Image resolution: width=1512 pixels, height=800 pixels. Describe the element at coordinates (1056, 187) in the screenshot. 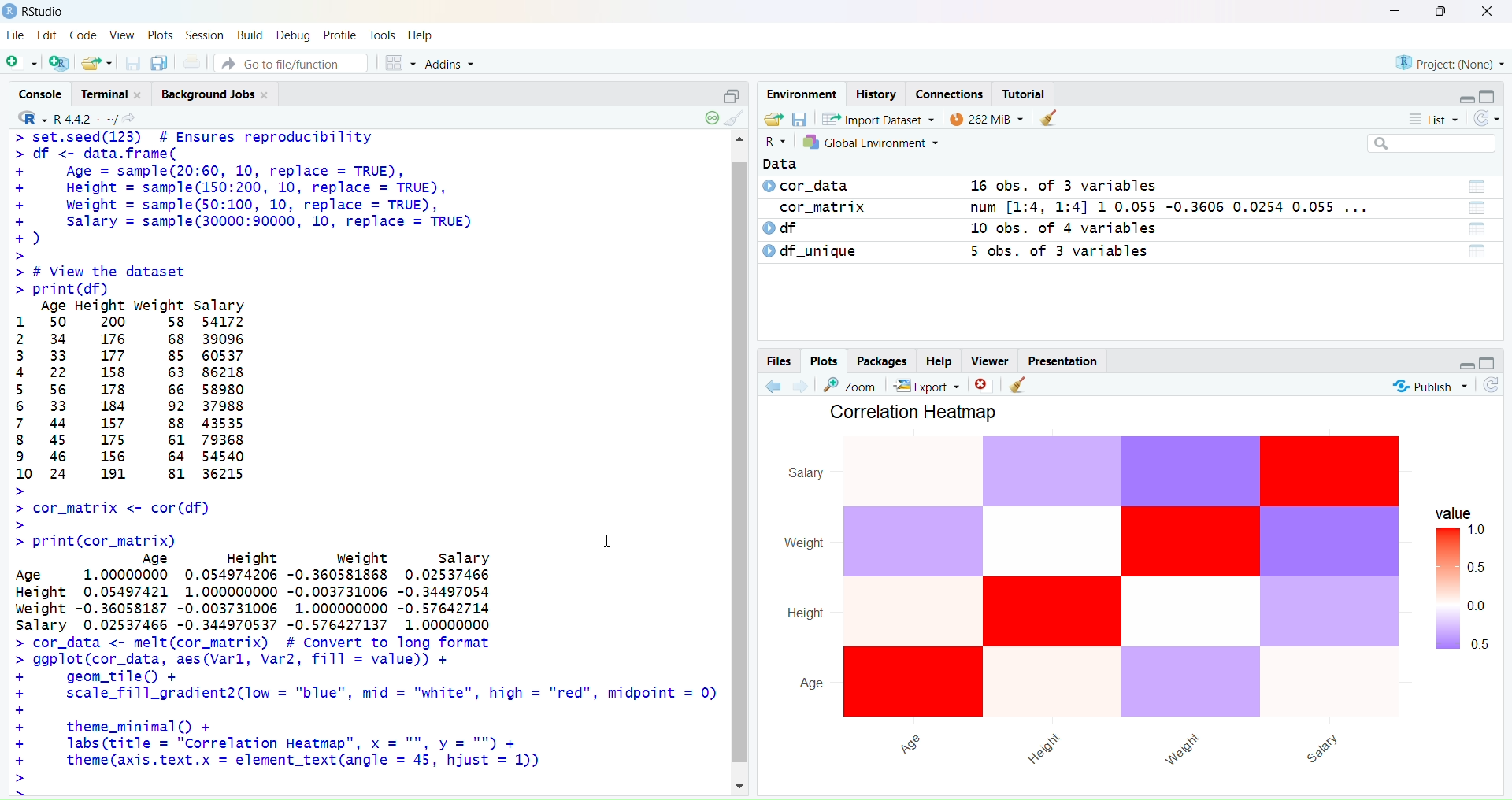

I see `© cor_data 16 obs. of 3 variables` at that location.